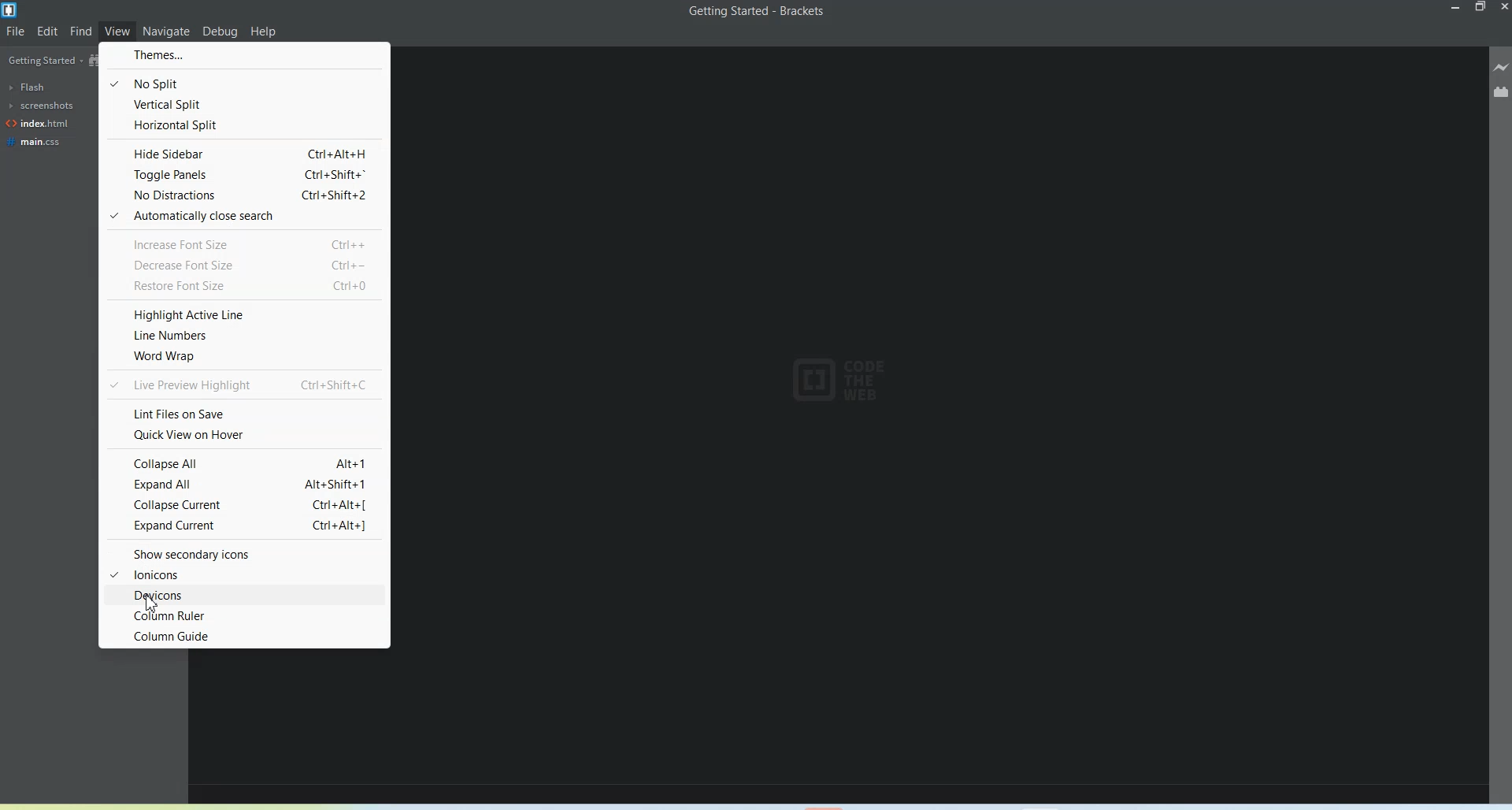  Describe the element at coordinates (843, 380) in the screenshot. I see `Code the Web` at that location.